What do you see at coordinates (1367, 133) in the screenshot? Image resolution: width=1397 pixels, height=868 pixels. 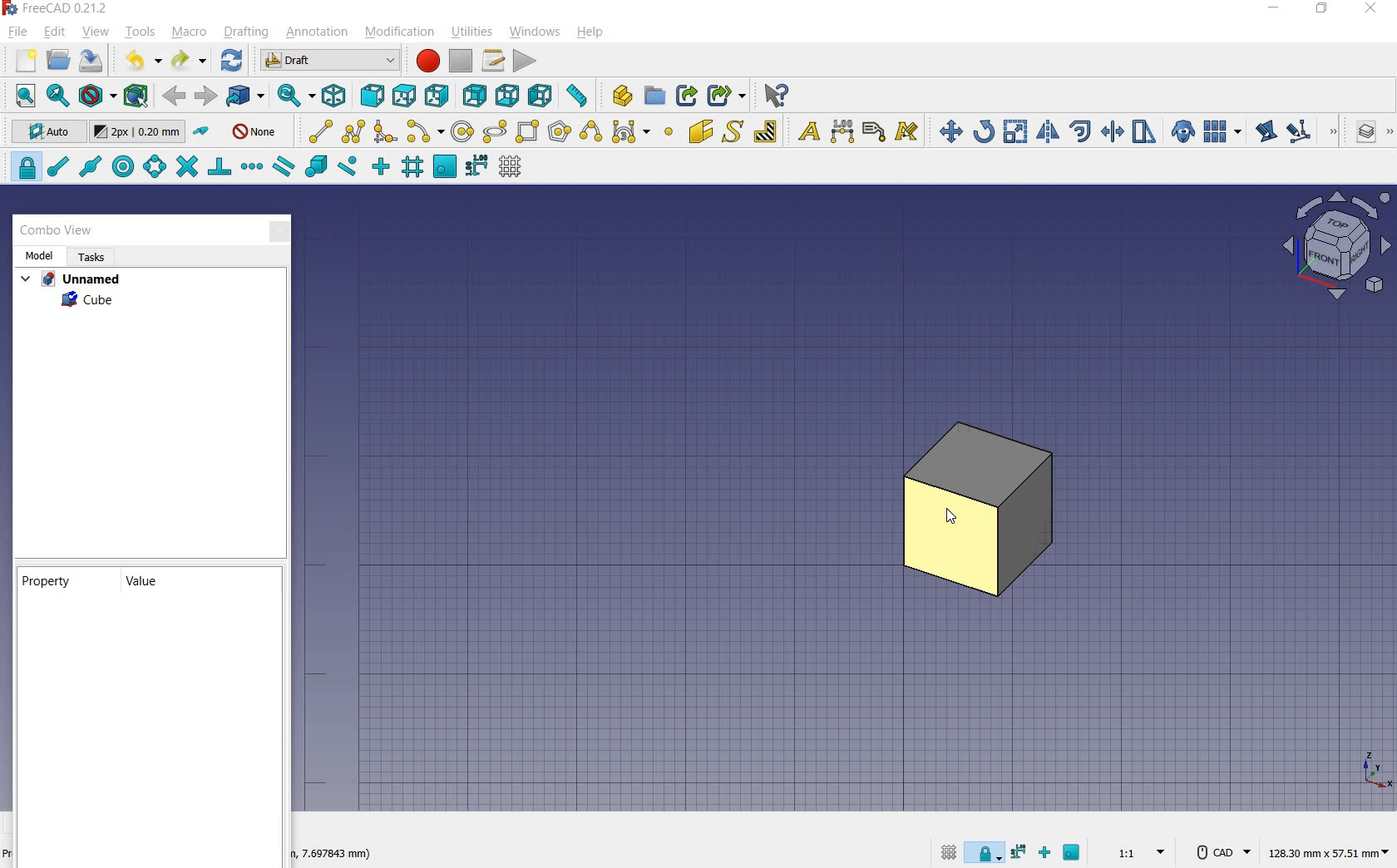 I see `manage layers` at bounding box center [1367, 133].